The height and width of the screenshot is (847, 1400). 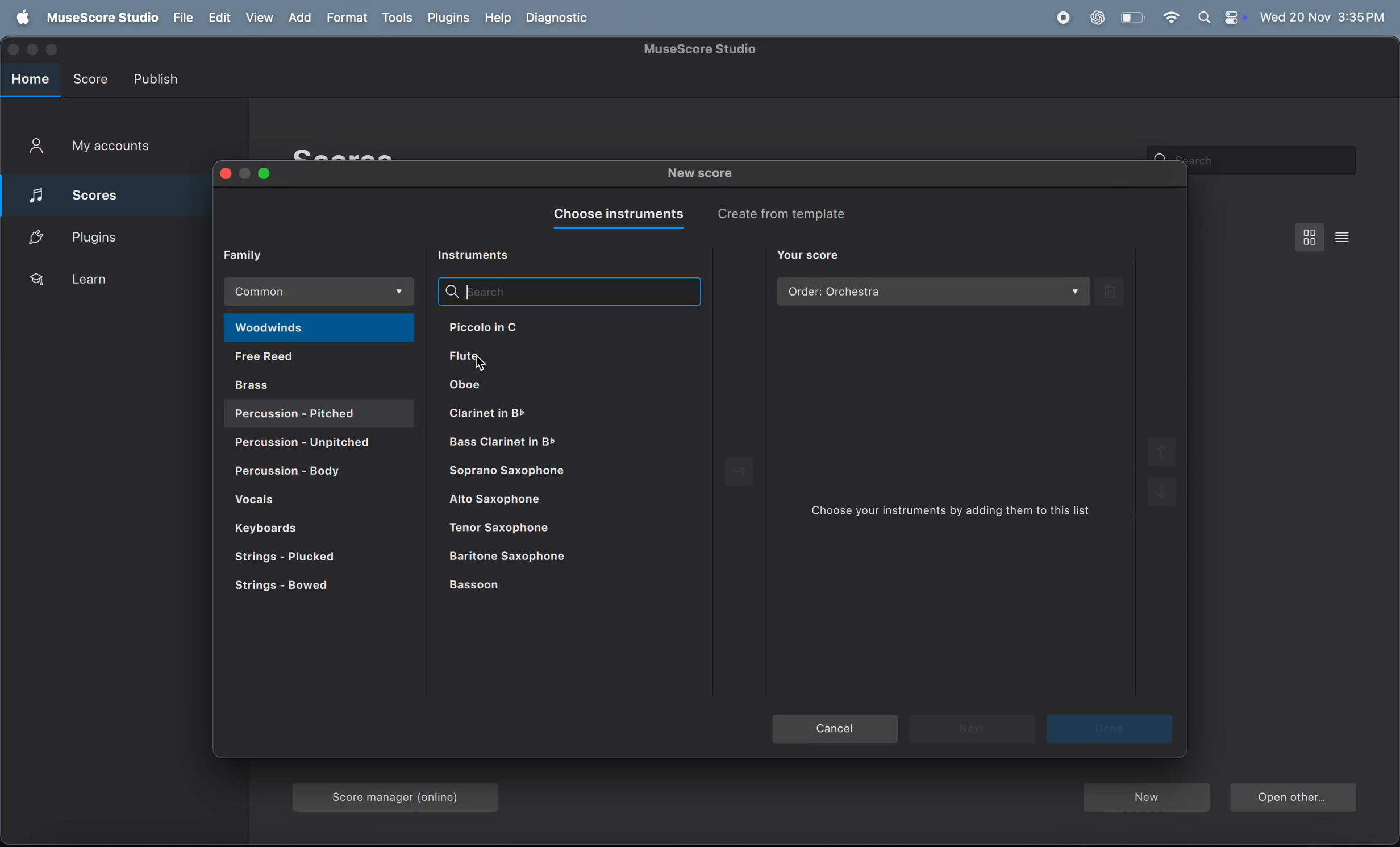 What do you see at coordinates (31, 80) in the screenshot?
I see `home` at bounding box center [31, 80].